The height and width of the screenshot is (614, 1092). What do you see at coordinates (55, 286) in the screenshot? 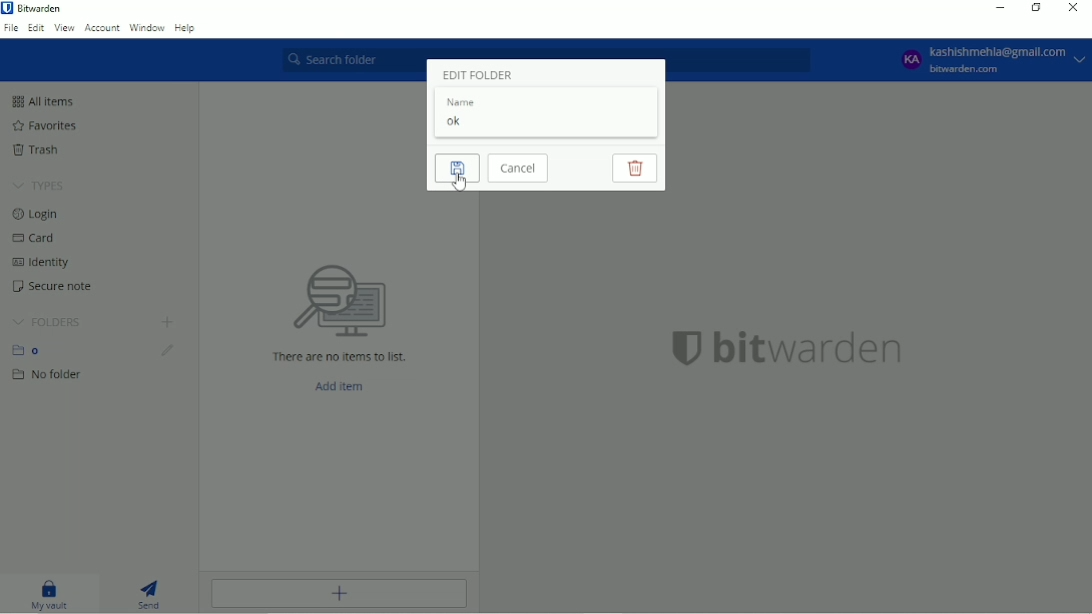
I see `Secure note` at bounding box center [55, 286].